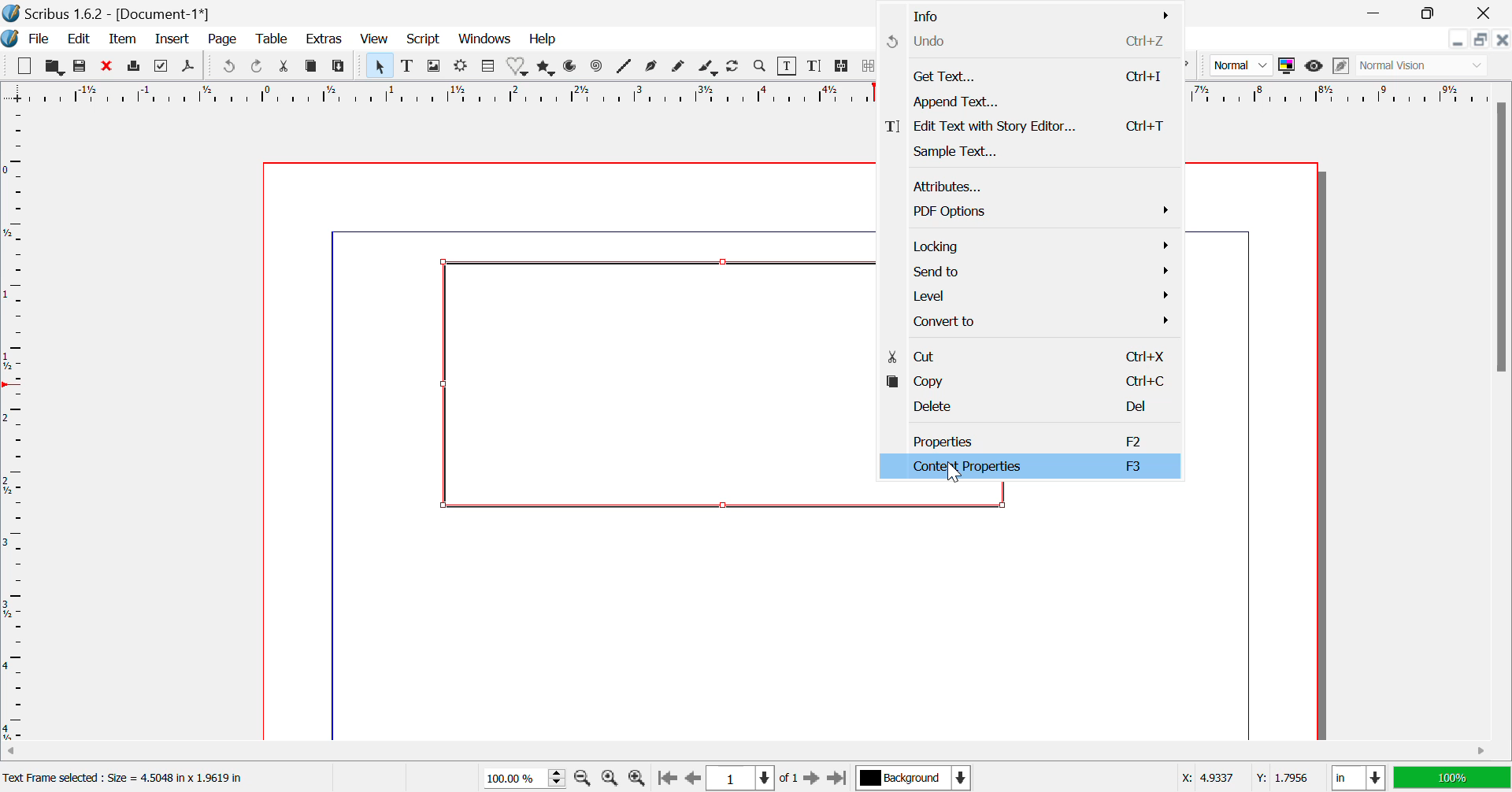  What do you see at coordinates (1033, 464) in the screenshot?
I see `Content Properties` at bounding box center [1033, 464].